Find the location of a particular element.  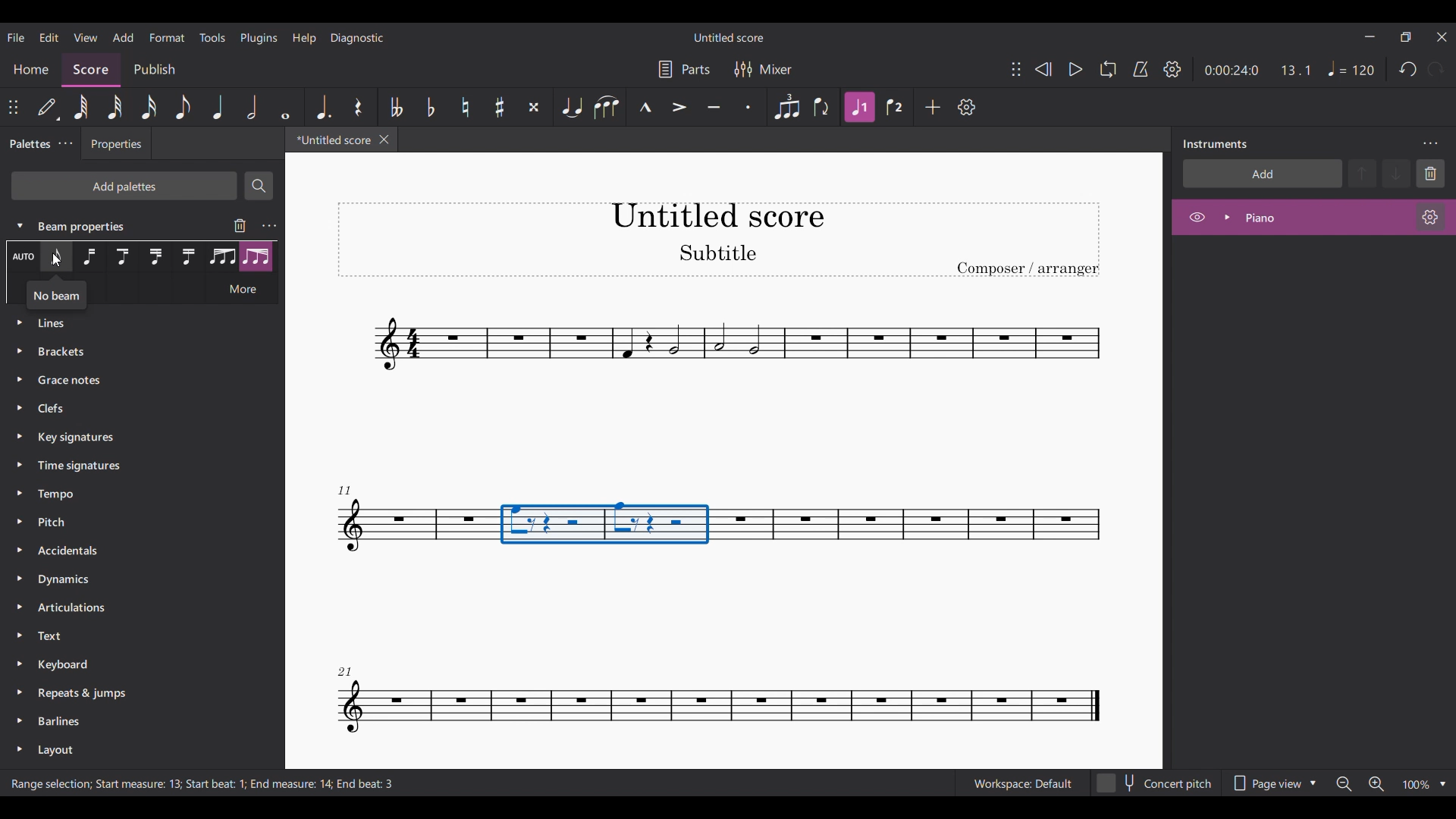

Tie is located at coordinates (573, 107).